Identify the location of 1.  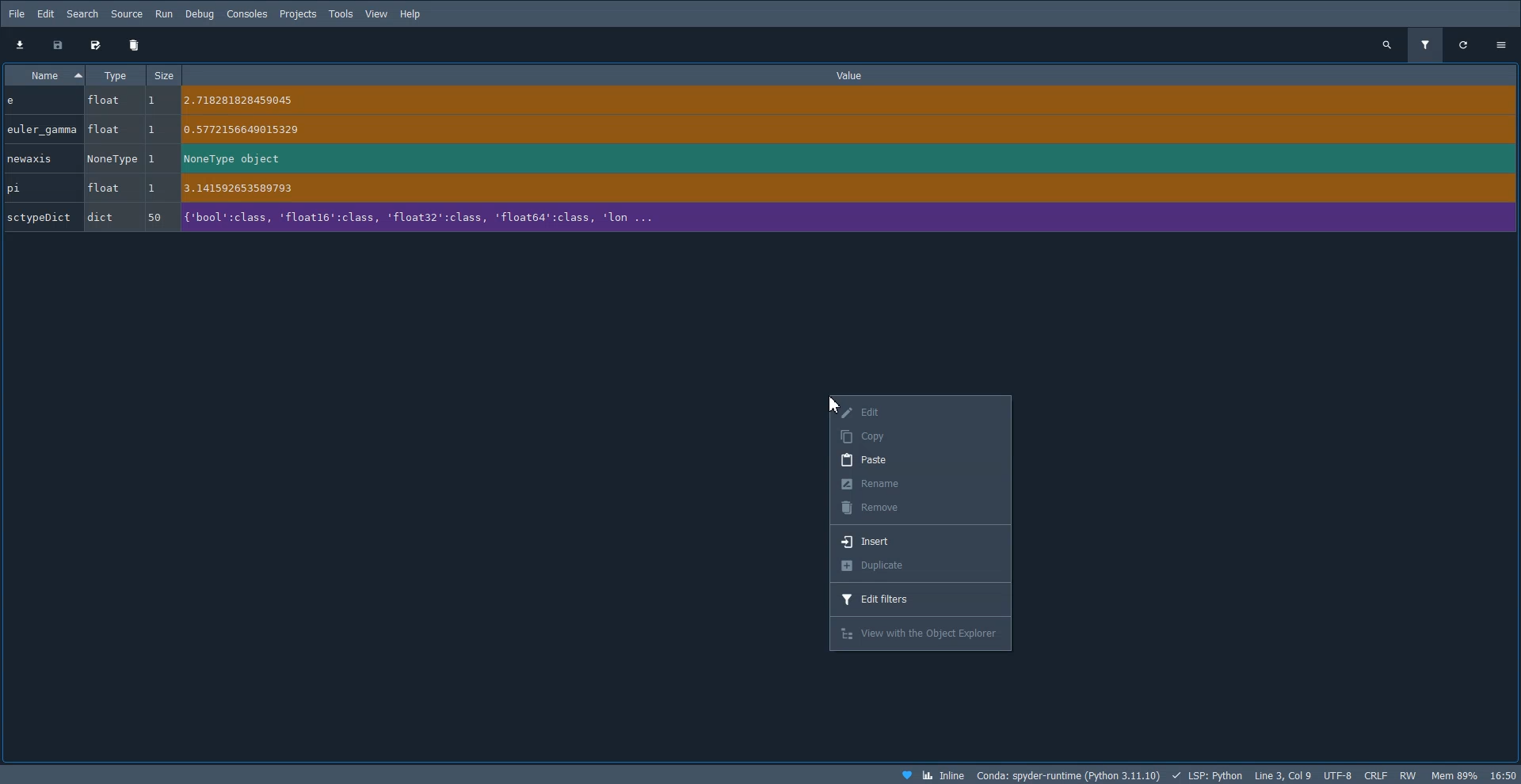
(153, 160).